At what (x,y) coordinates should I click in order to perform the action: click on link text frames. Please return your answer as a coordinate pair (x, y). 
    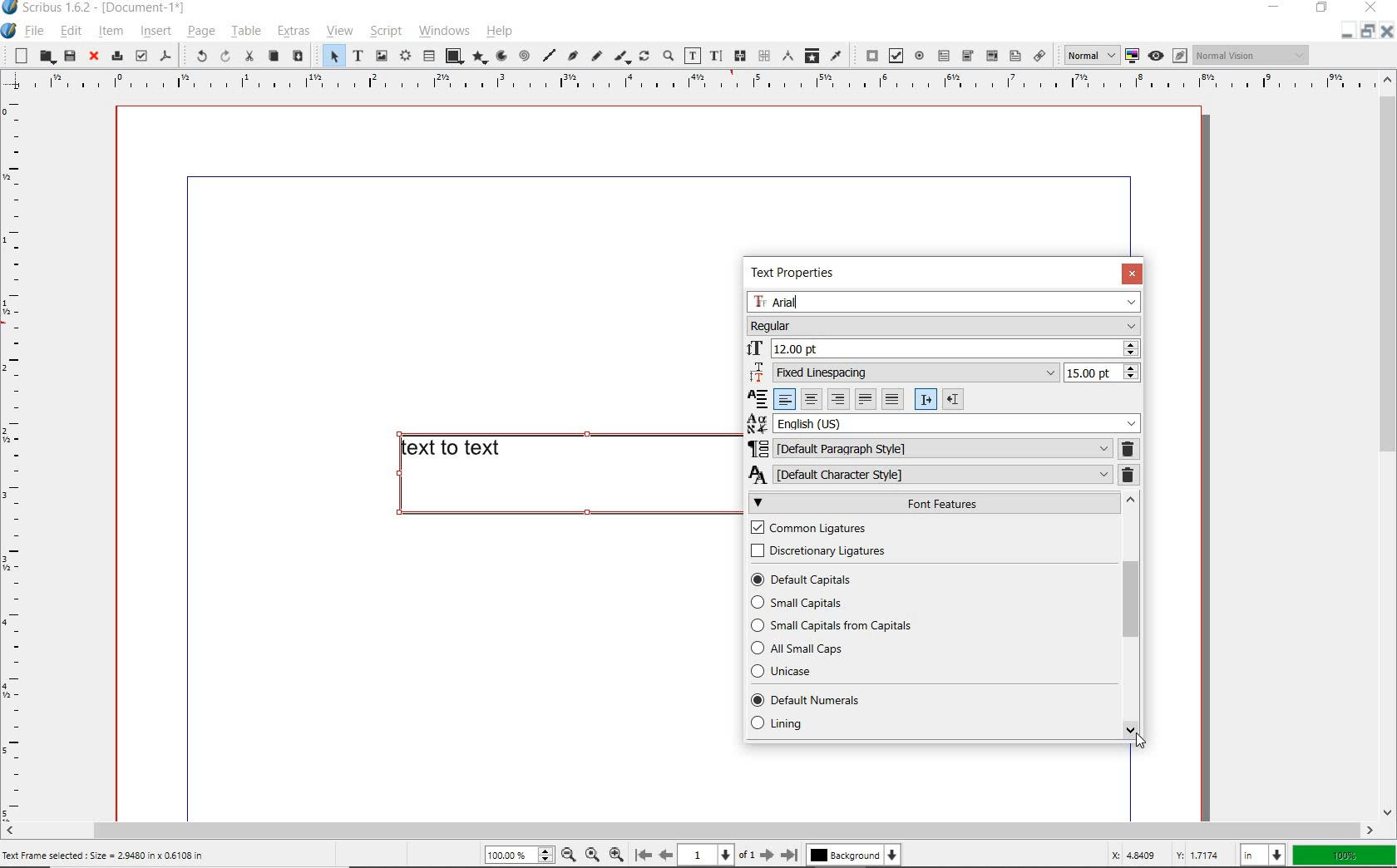
    Looking at the image, I should click on (738, 56).